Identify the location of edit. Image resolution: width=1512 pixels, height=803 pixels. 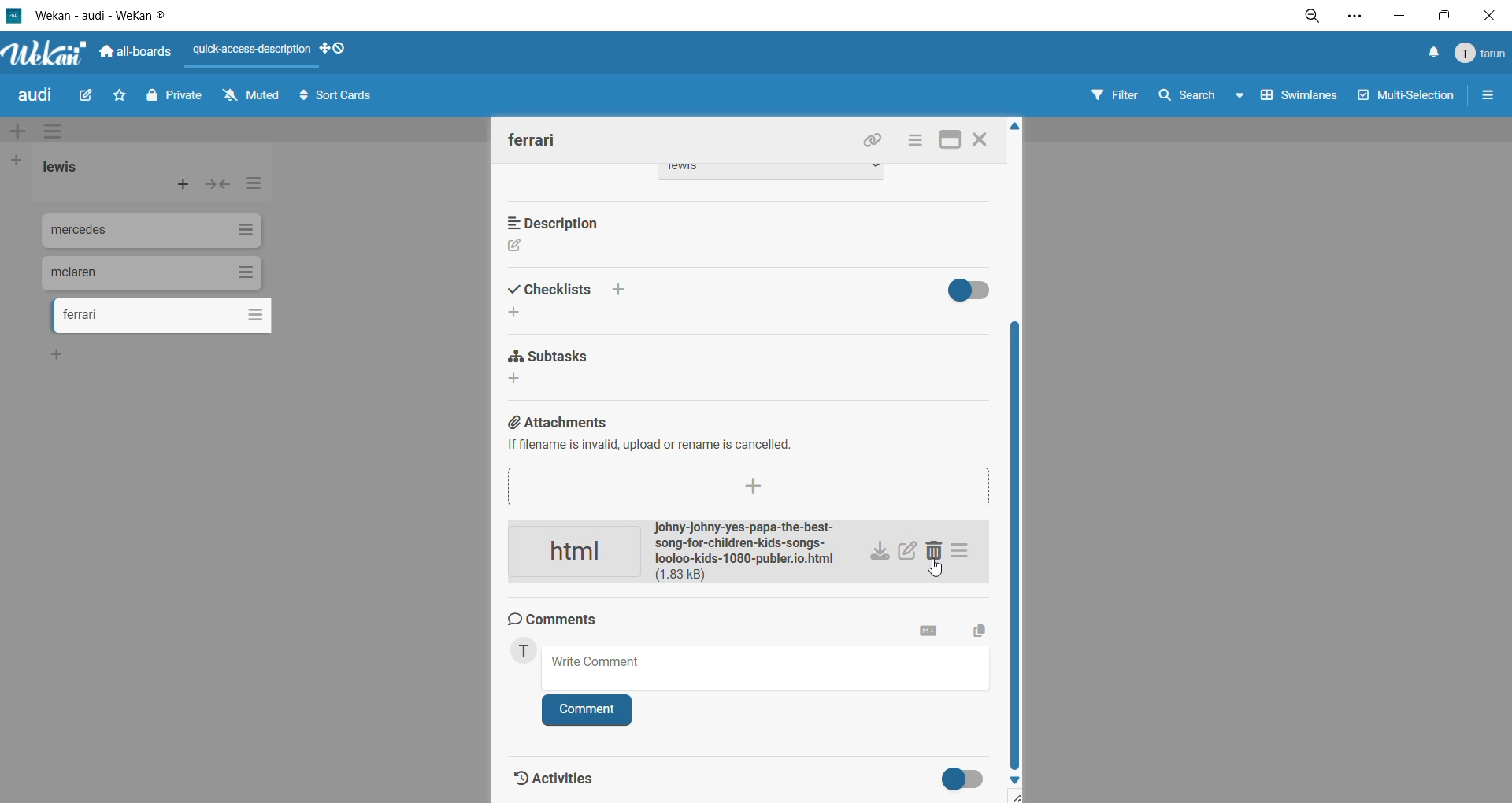
(908, 553).